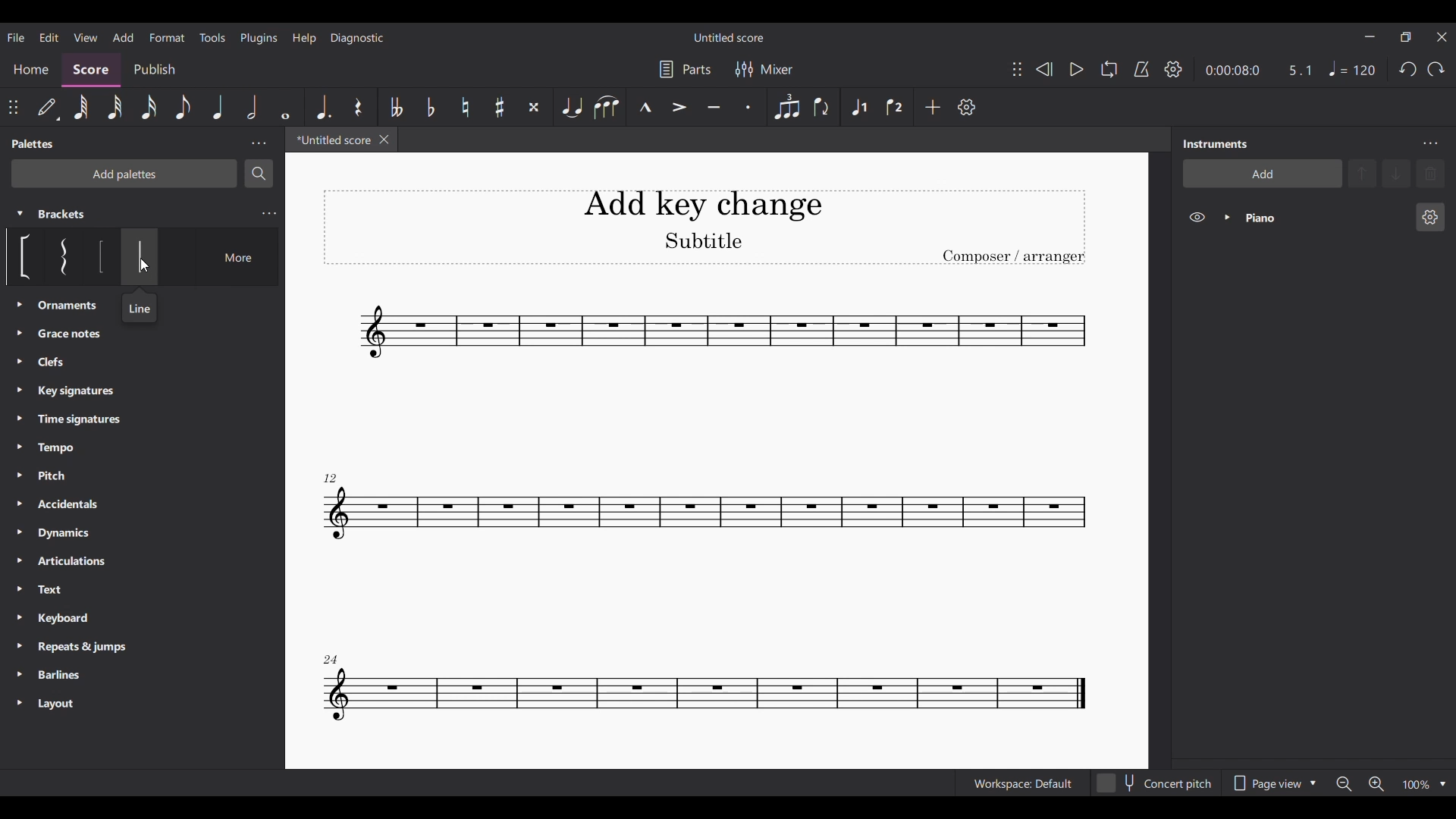 The image size is (1456, 819). I want to click on Zoom factor, so click(1417, 786).